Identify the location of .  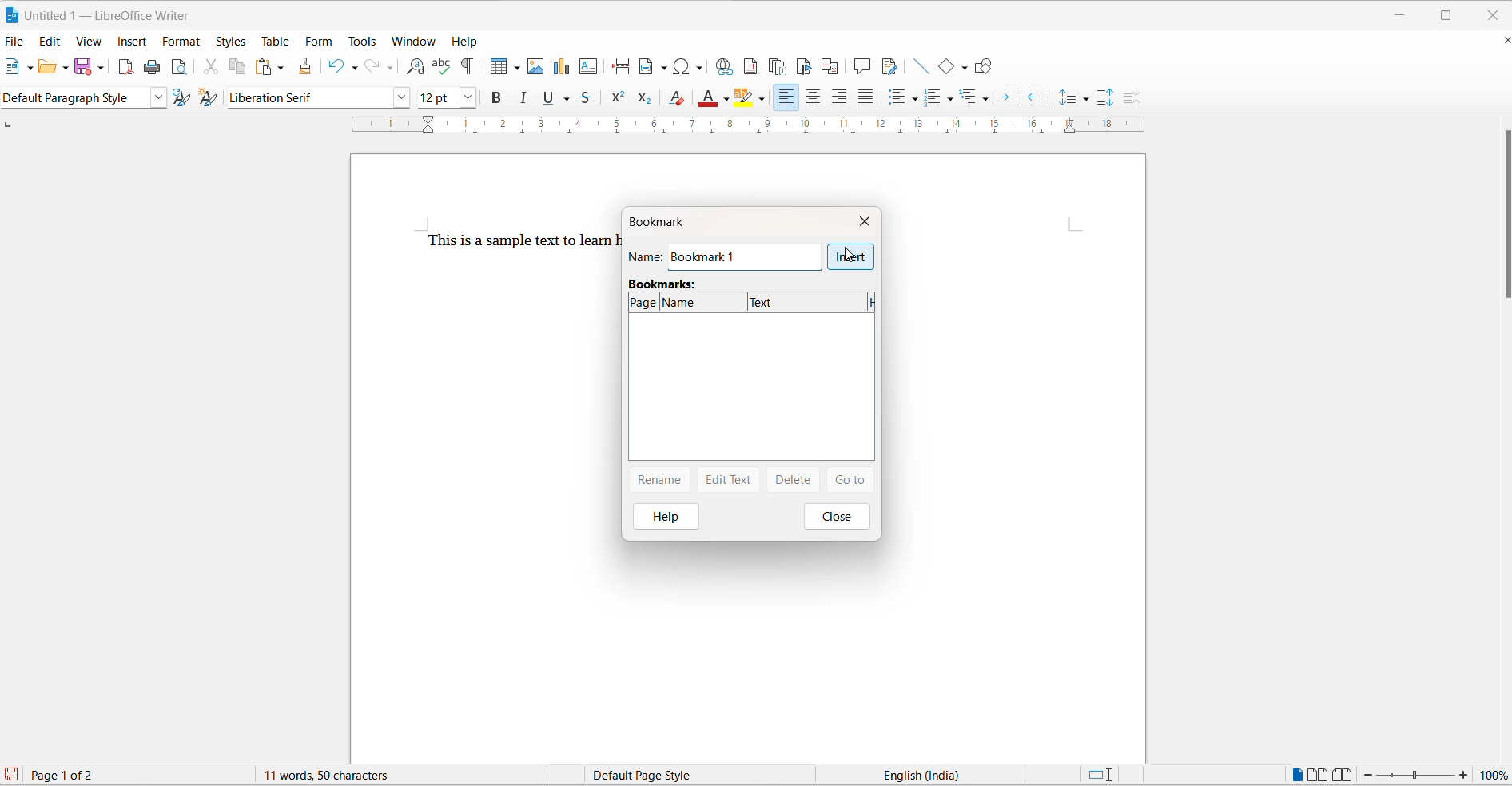
(662, 480).